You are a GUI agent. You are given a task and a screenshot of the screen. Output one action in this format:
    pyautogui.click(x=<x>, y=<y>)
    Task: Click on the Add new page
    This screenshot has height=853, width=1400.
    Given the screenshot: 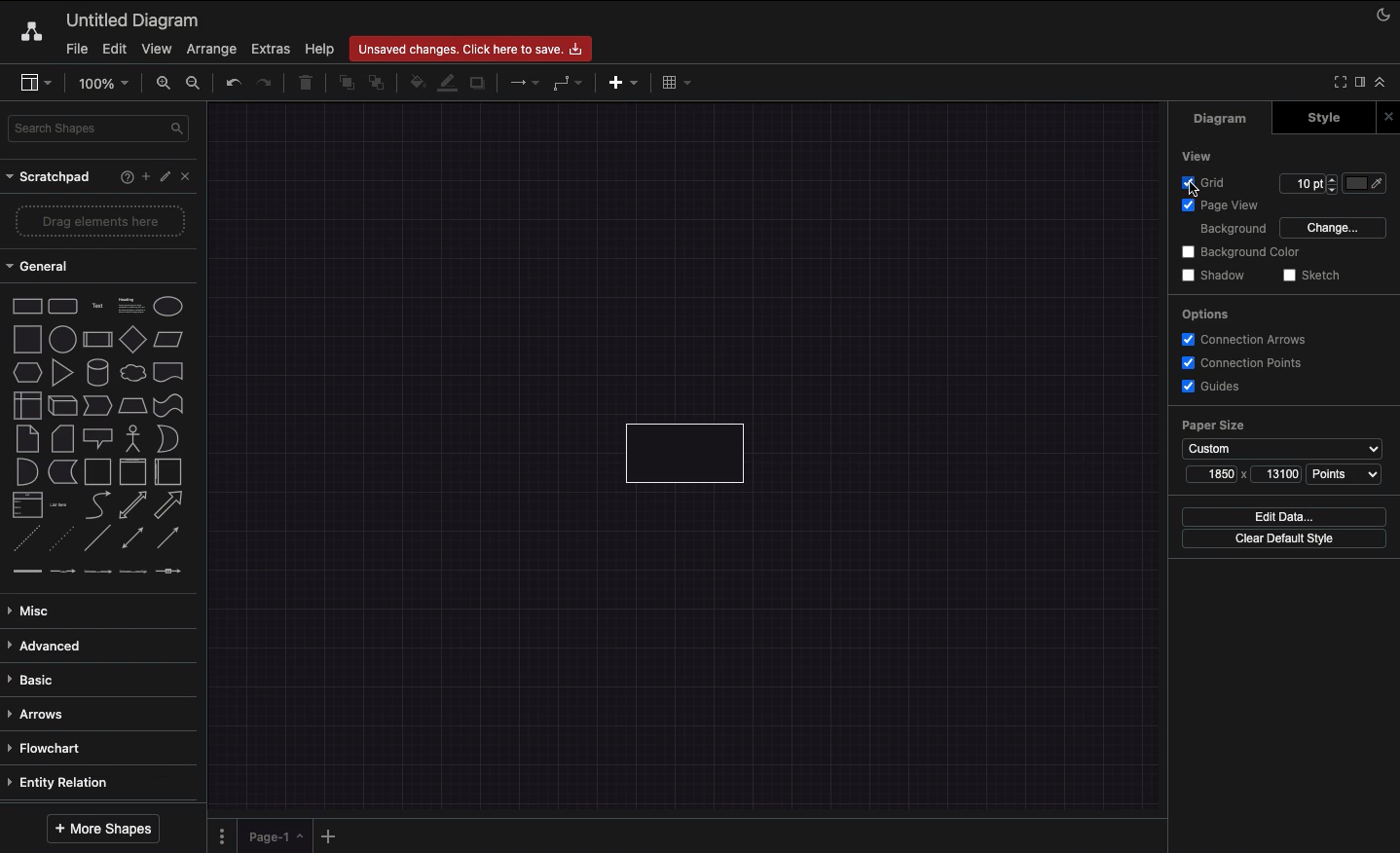 What is the action you would take?
    pyautogui.click(x=334, y=835)
    